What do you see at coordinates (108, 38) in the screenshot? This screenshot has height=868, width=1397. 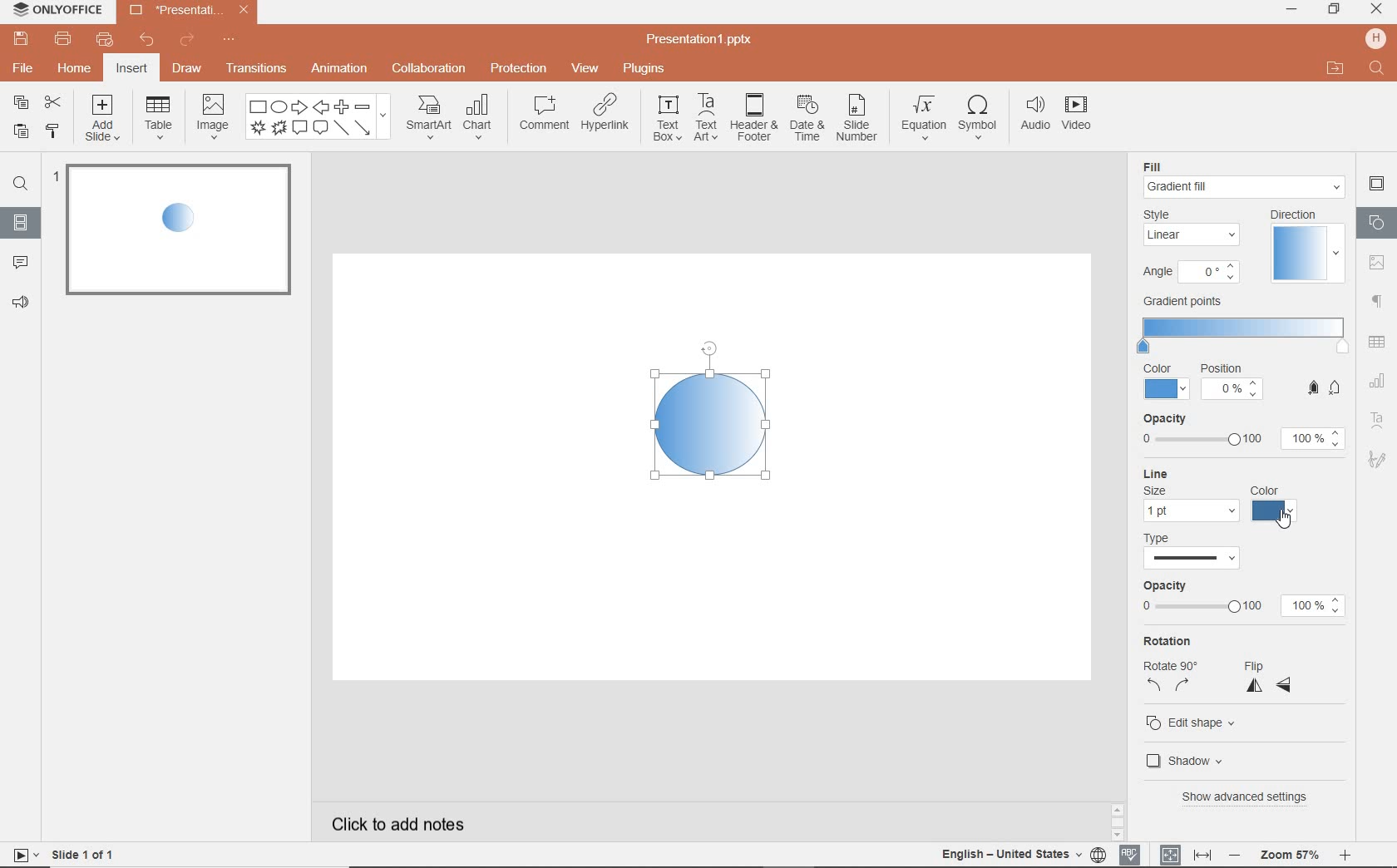 I see `quick print` at bounding box center [108, 38].